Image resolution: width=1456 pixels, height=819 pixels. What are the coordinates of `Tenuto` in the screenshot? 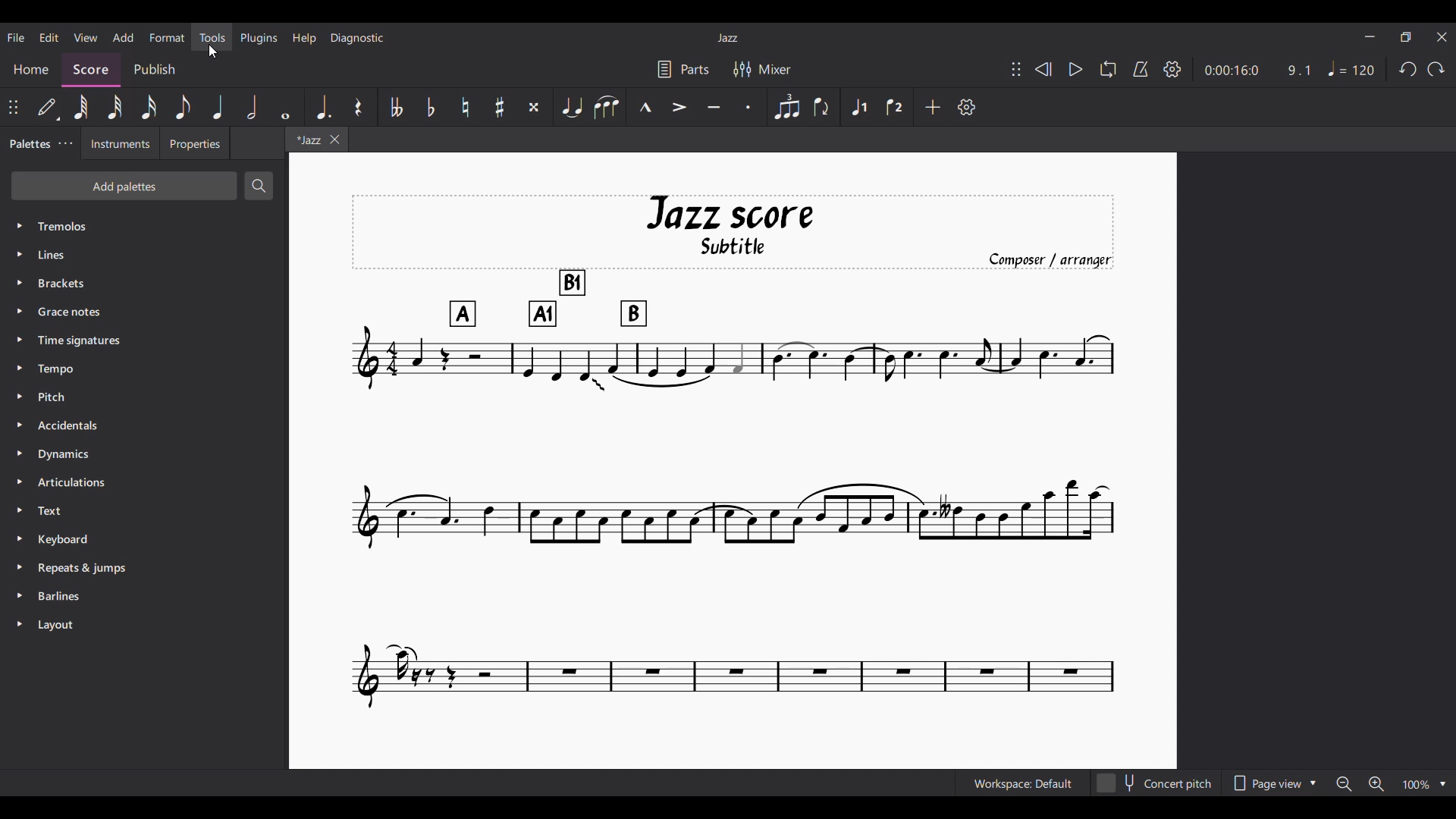 It's located at (714, 107).